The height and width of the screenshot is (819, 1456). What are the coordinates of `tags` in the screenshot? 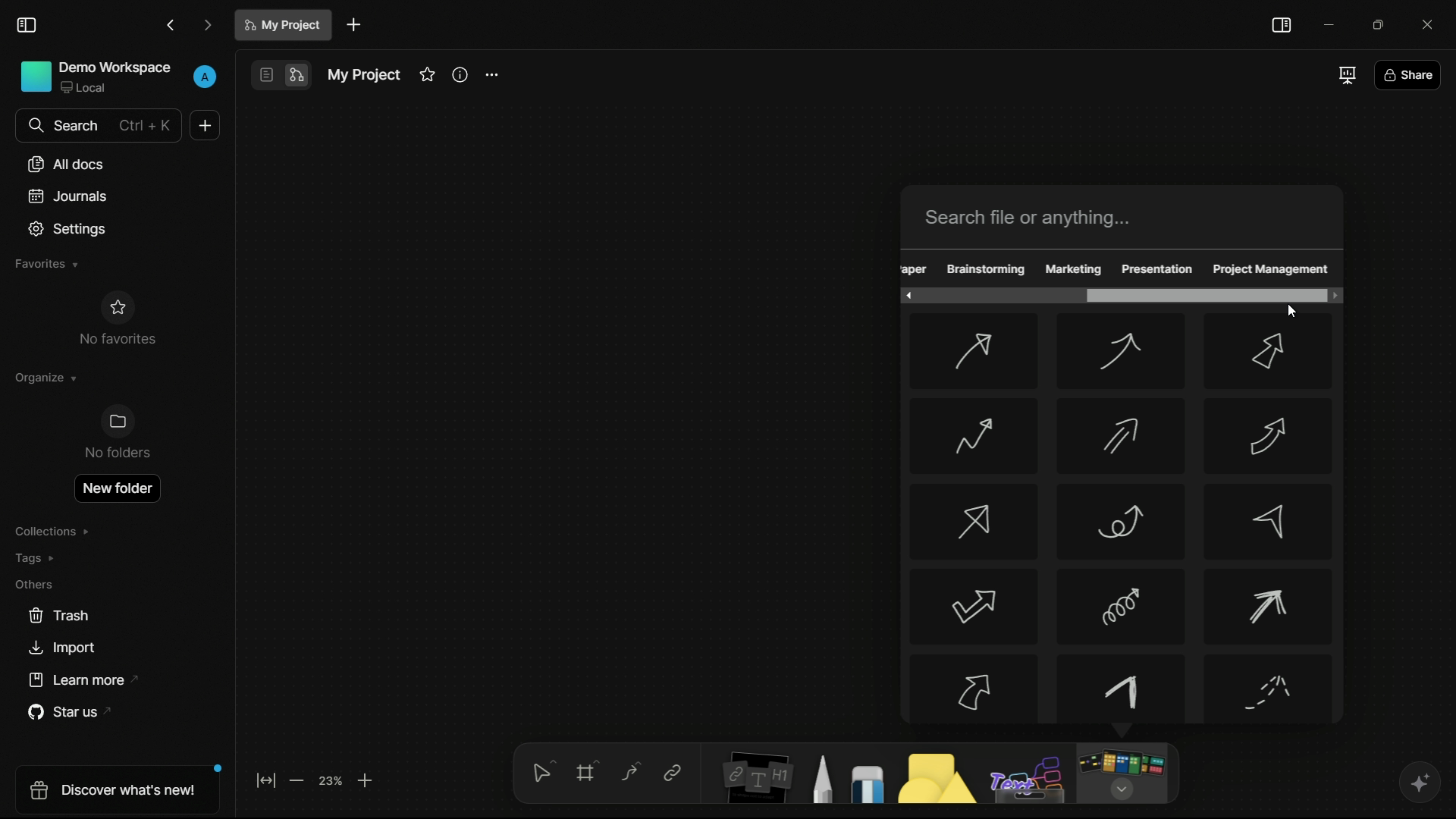 It's located at (36, 558).